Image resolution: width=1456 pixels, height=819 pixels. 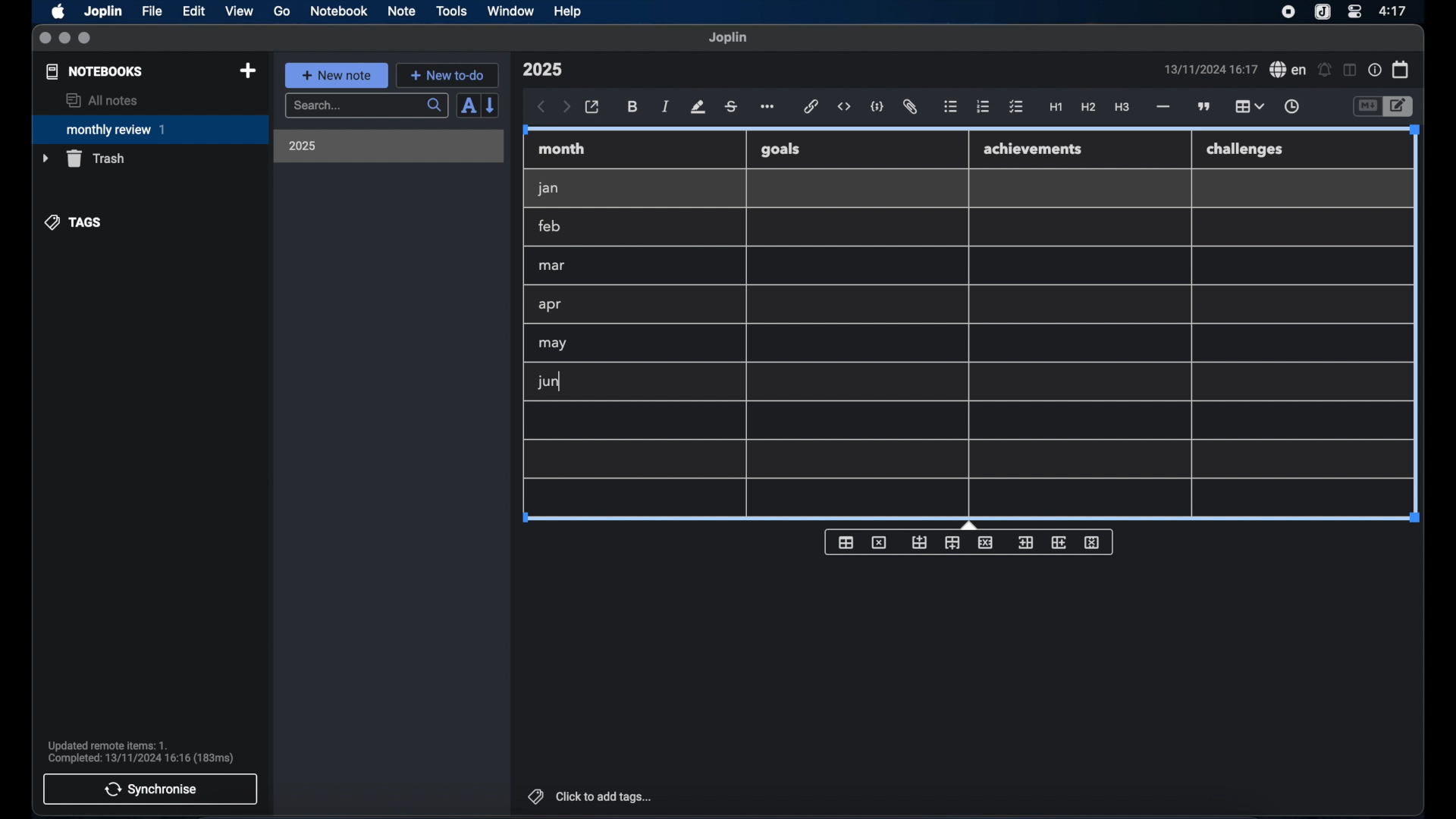 What do you see at coordinates (141, 752) in the screenshot?
I see `sync notification` at bounding box center [141, 752].